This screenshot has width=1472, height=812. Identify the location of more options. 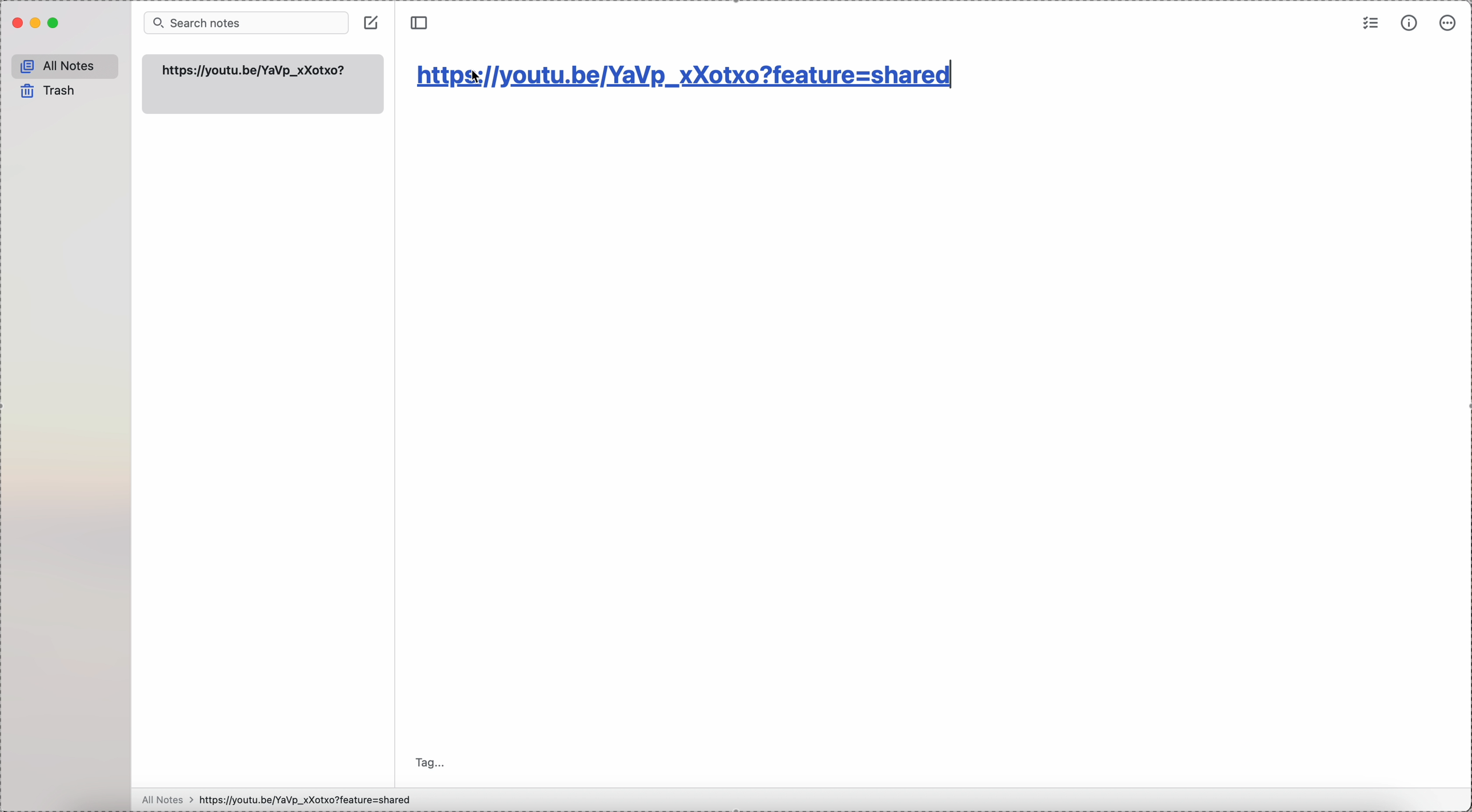
(1449, 22).